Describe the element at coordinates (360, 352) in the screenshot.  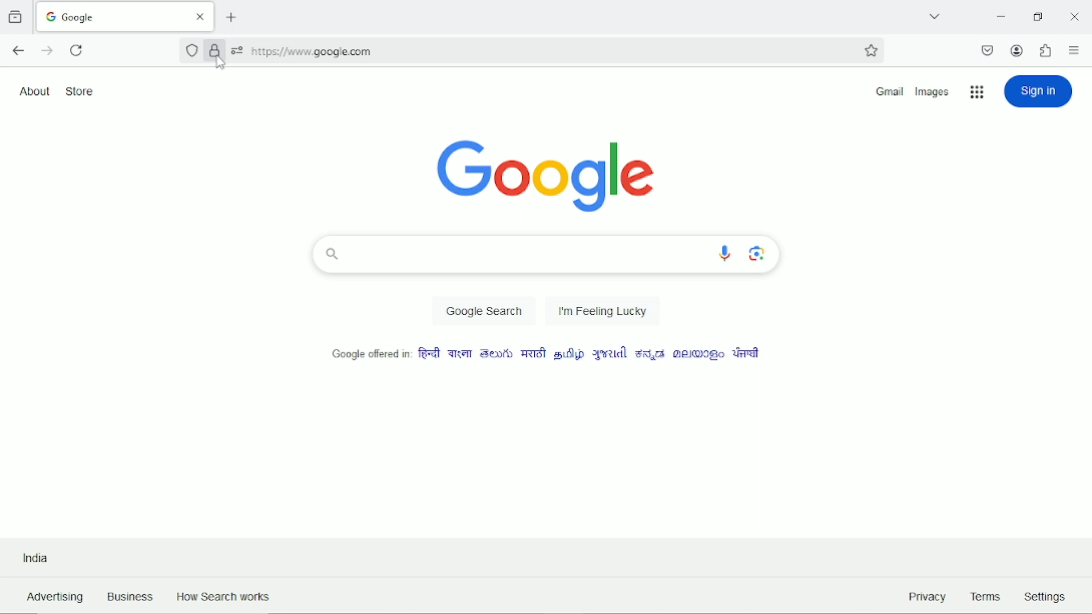
I see `Google offered in` at that location.